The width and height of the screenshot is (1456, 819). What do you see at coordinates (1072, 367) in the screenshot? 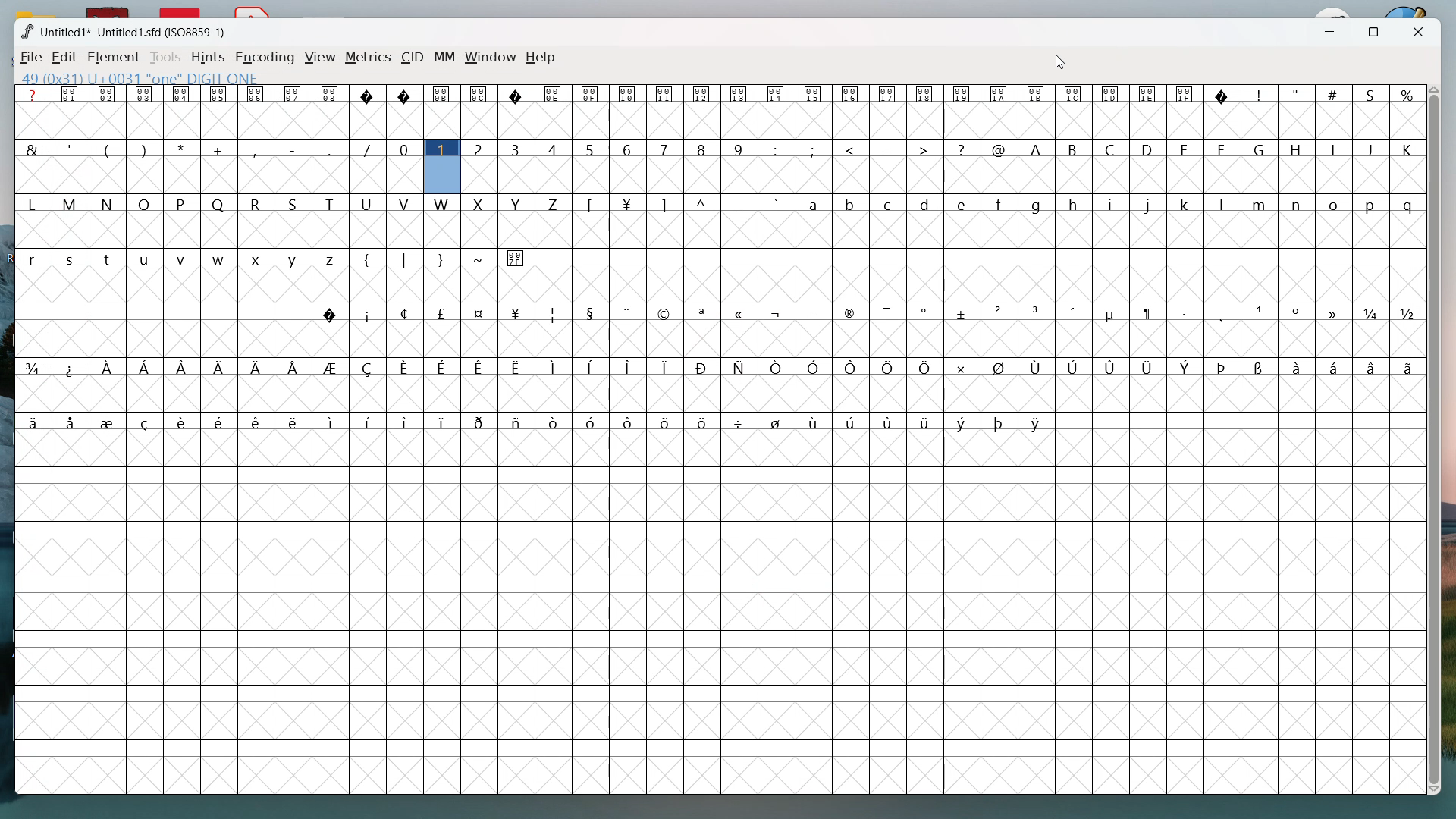
I see `symbol` at bounding box center [1072, 367].